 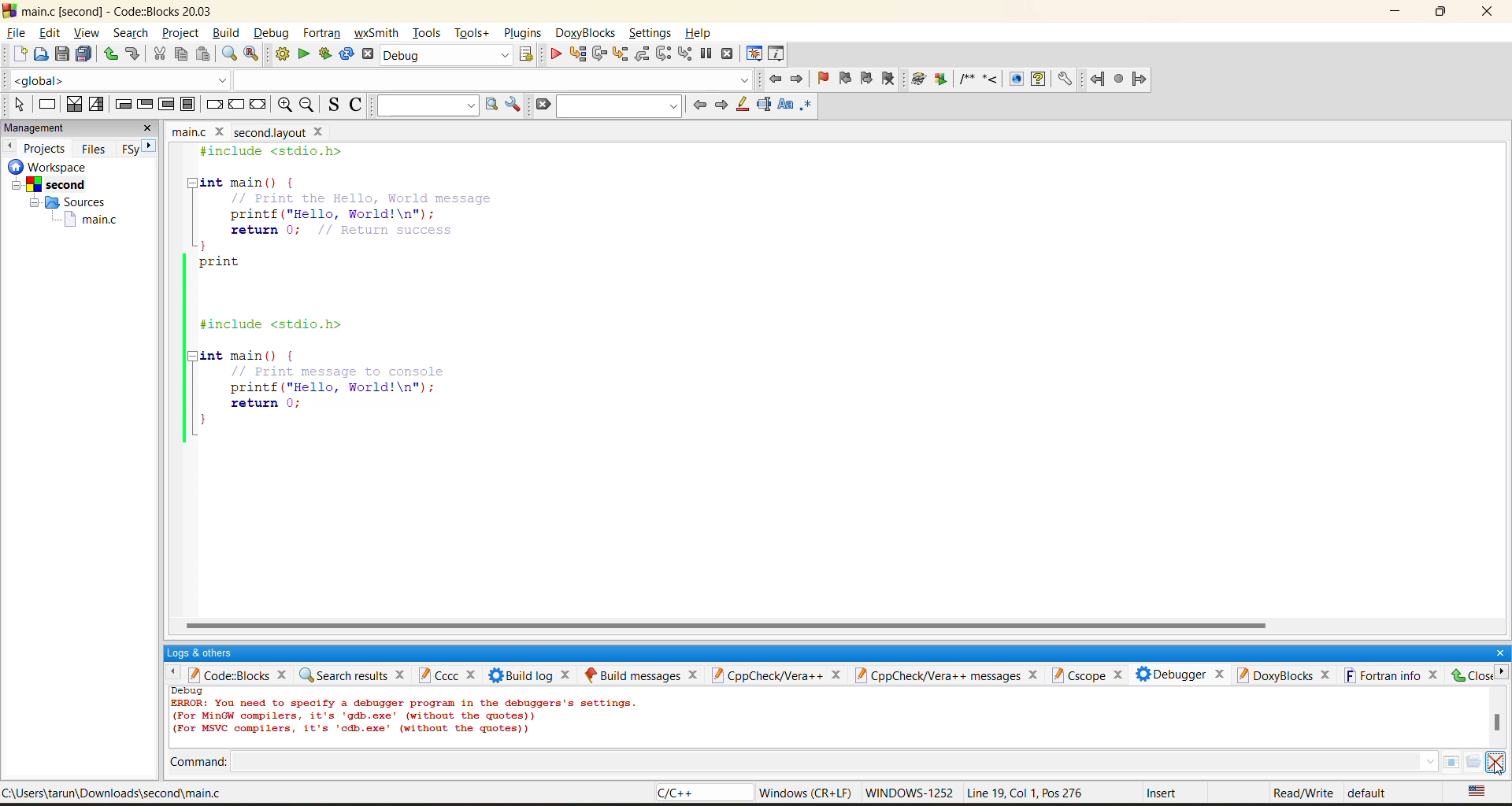 I want to click on file name, so click(x=250, y=132).